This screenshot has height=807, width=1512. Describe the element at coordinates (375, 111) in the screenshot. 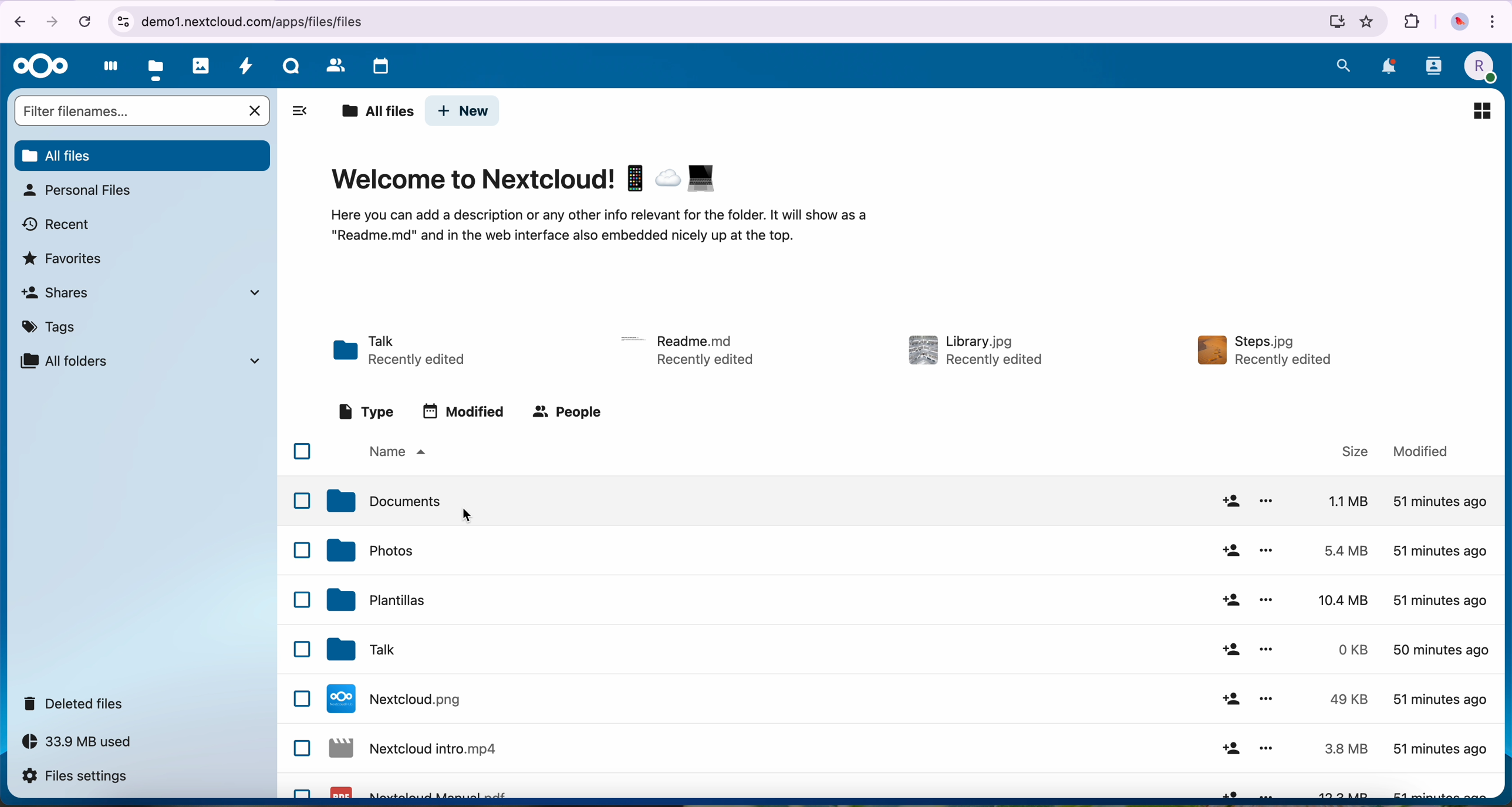

I see `all files` at that location.